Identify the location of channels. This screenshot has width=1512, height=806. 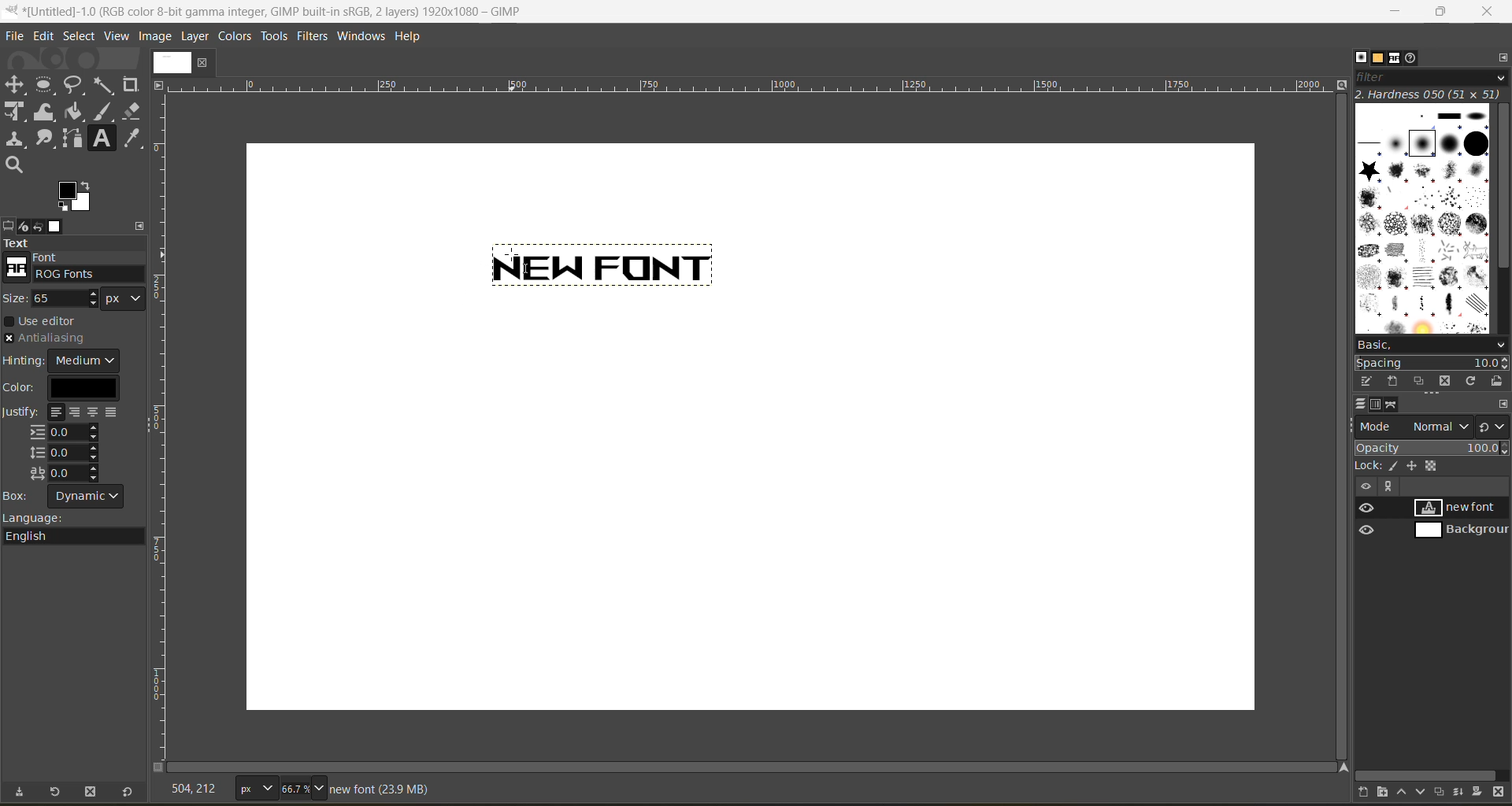
(1378, 406).